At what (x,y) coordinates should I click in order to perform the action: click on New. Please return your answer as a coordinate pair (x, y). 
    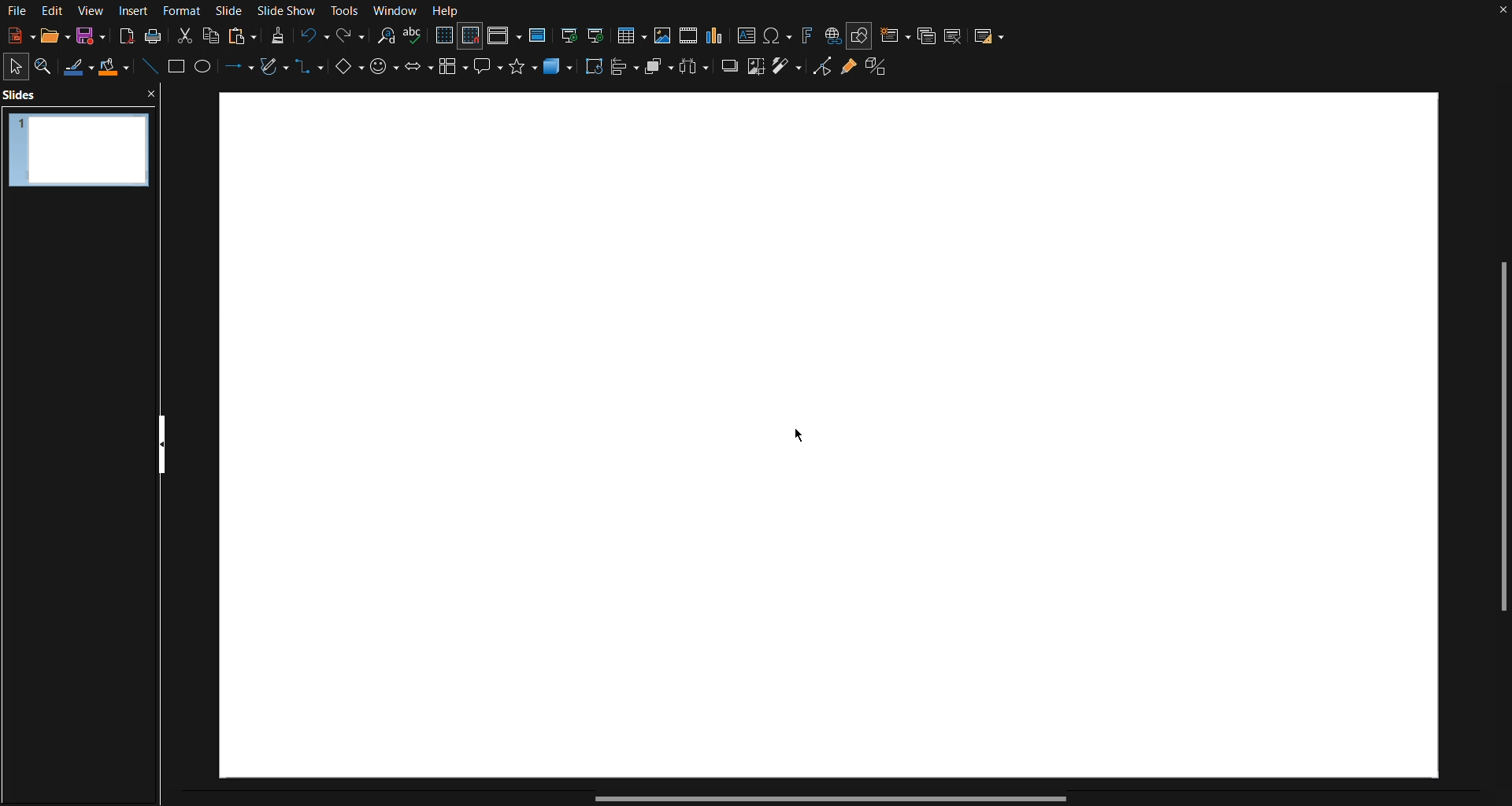
    Looking at the image, I should click on (16, 37).